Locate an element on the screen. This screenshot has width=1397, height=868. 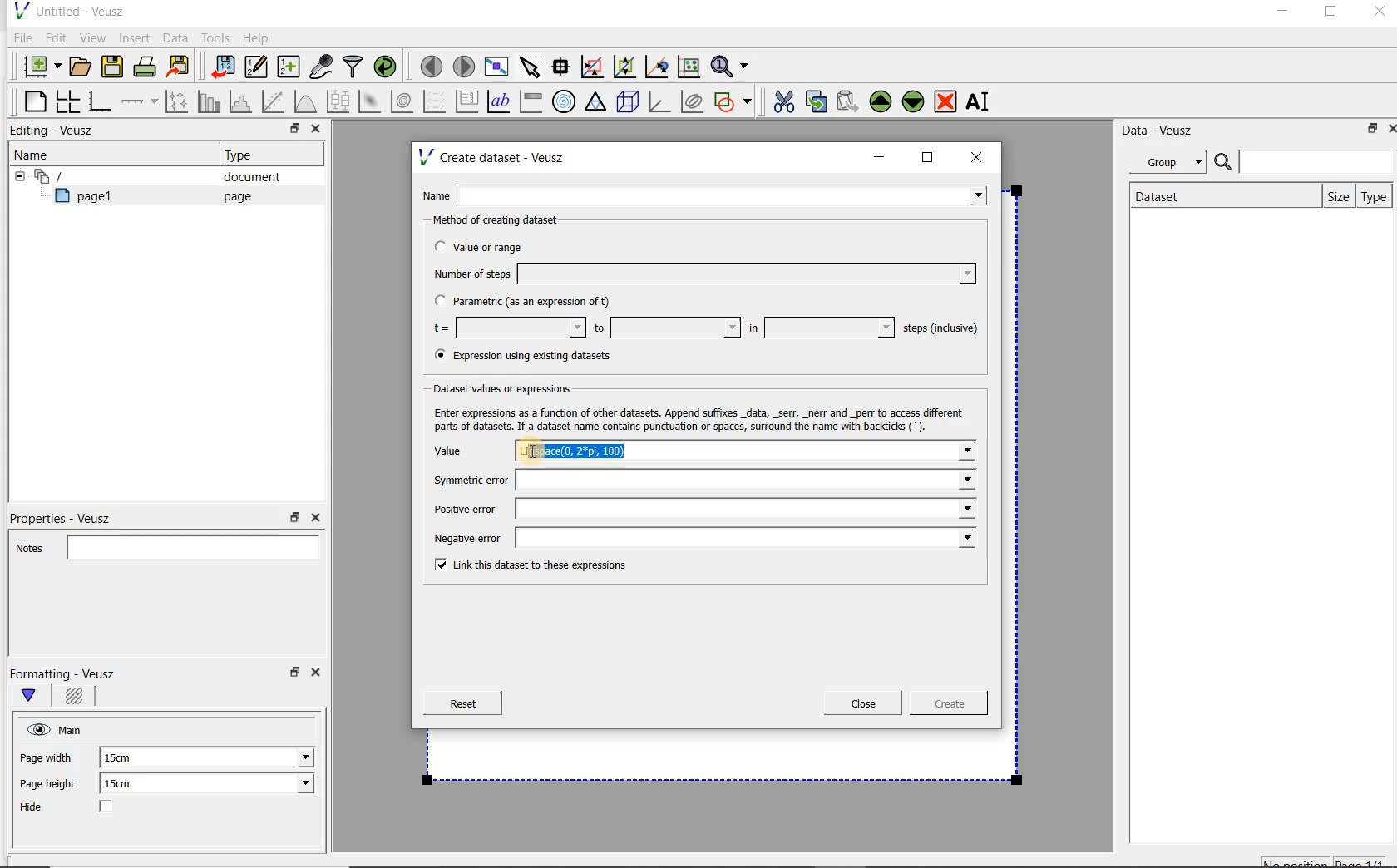
15cm is located at coordinates (128, 784).